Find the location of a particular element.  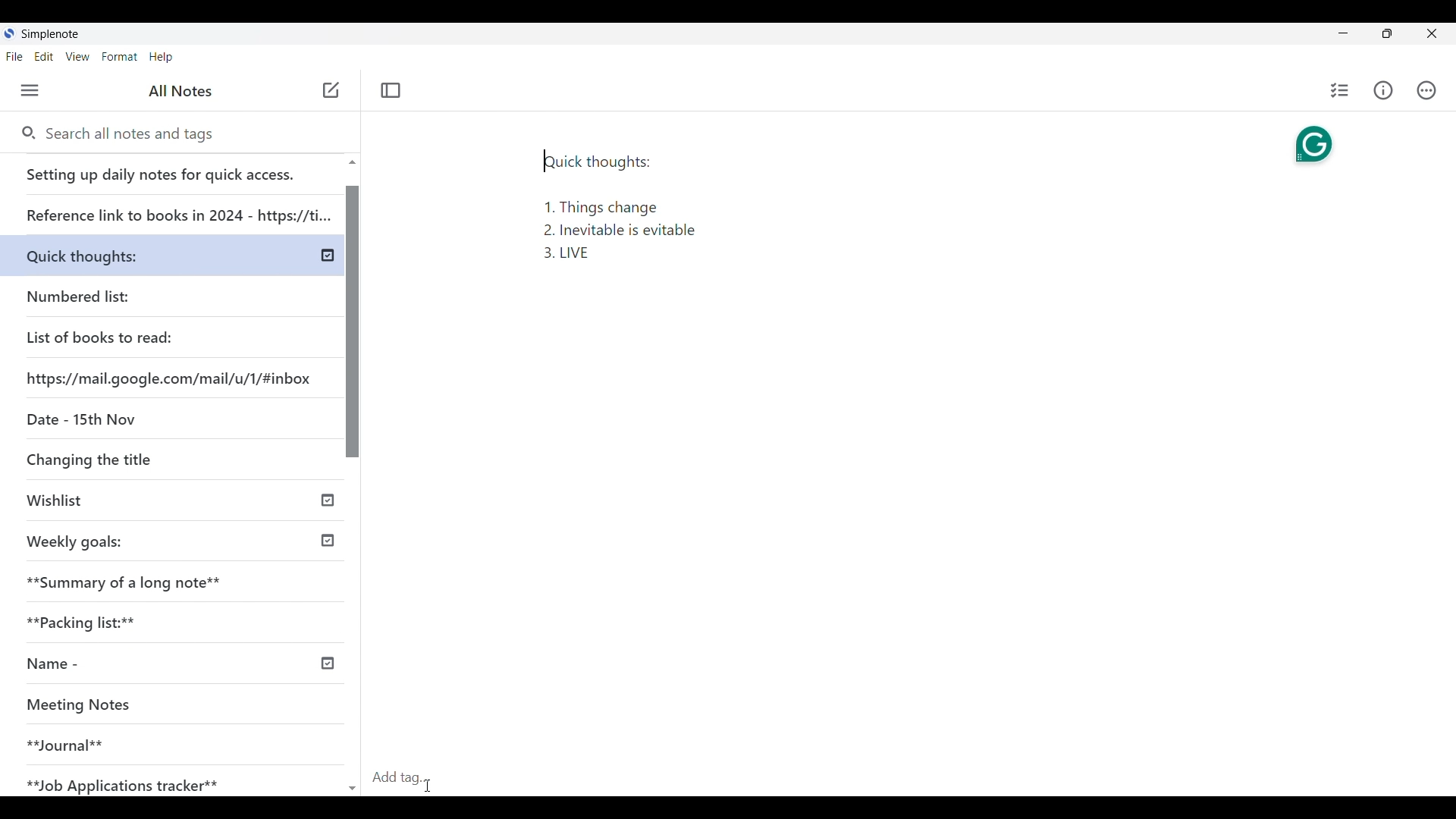

Menu is located at coordinates (30, 90).